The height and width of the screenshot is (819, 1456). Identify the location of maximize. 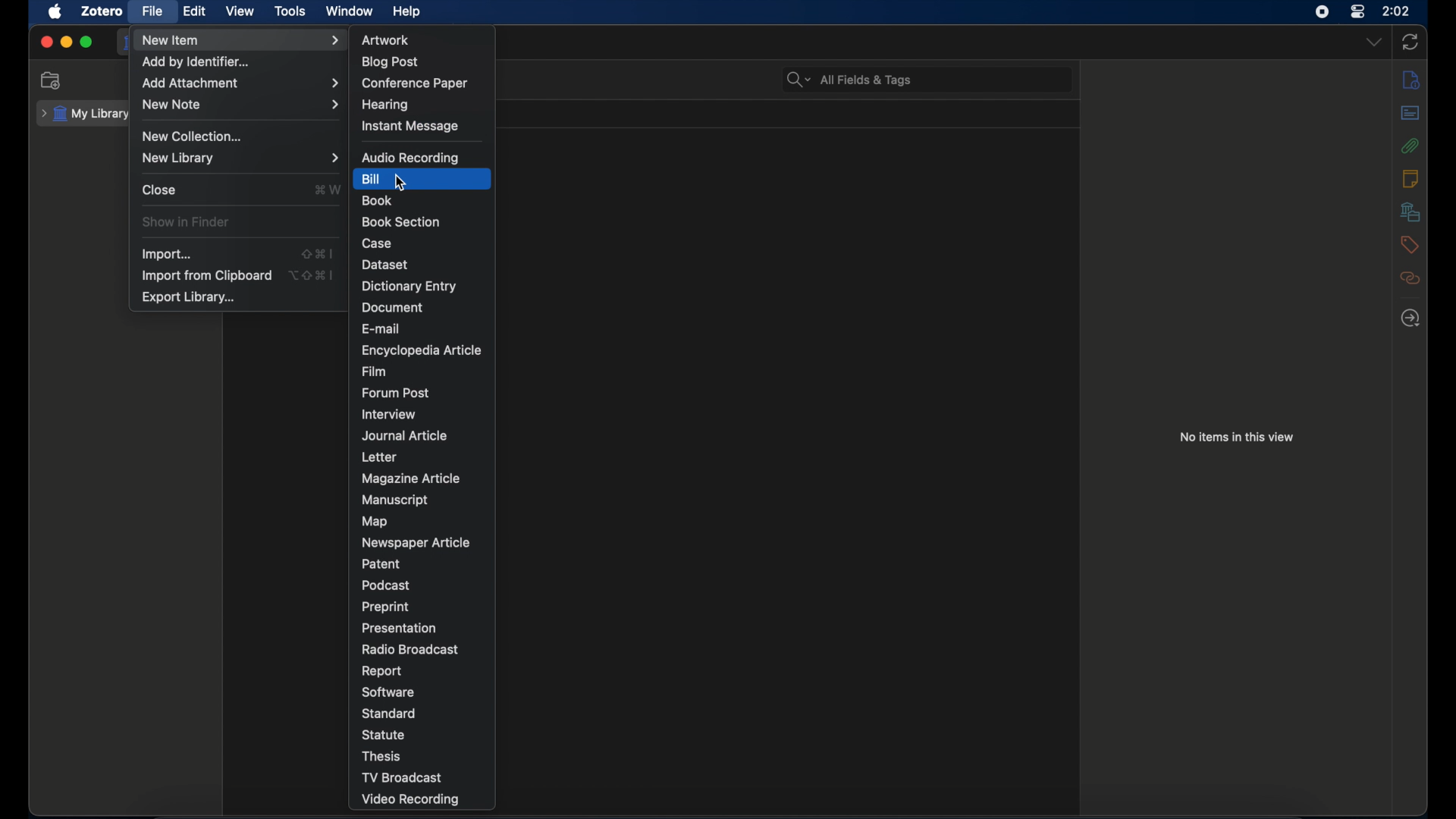
(87, 42).